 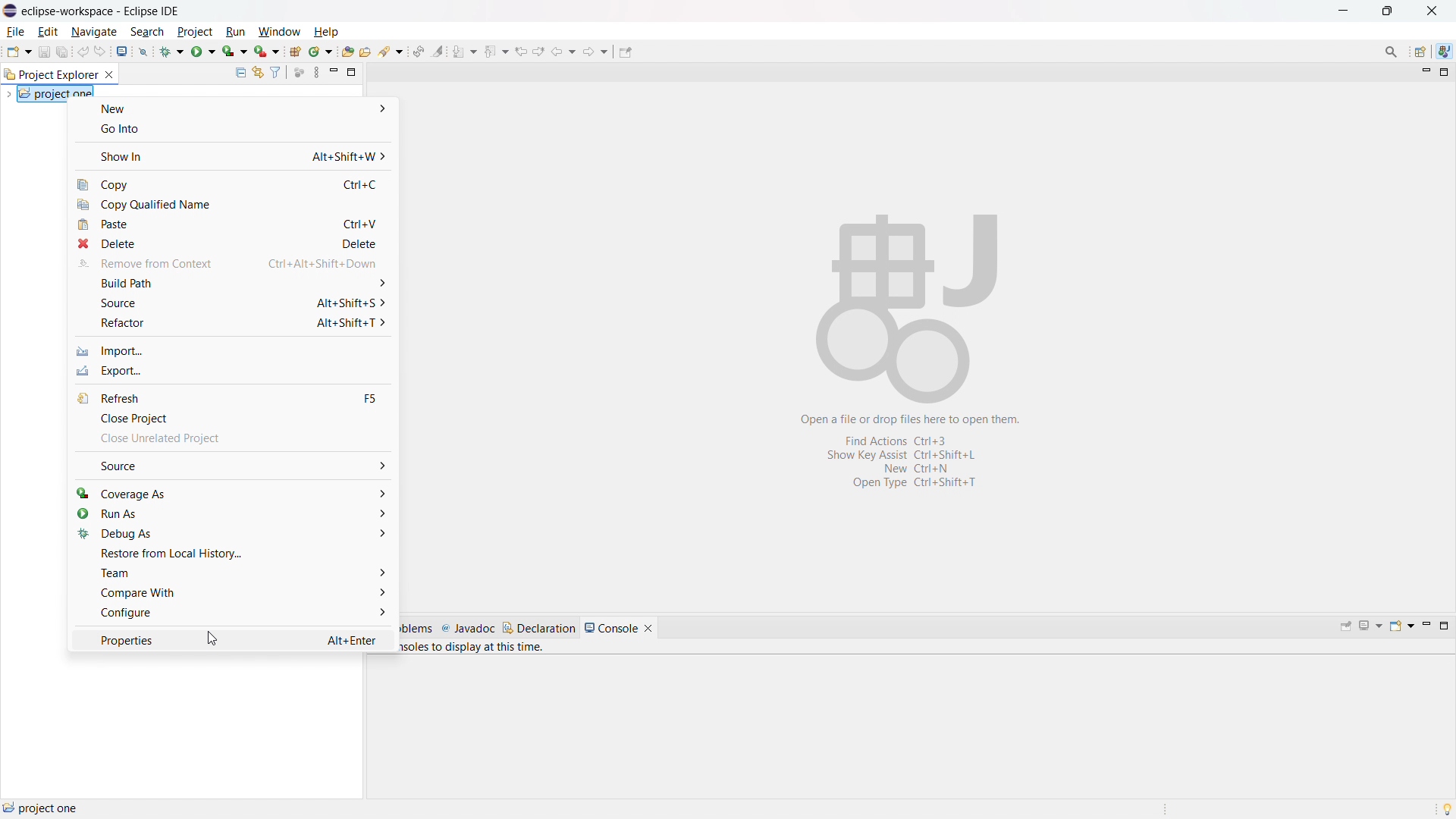 I want to click on find actions ctrl+3, so click(x=902, y=440).